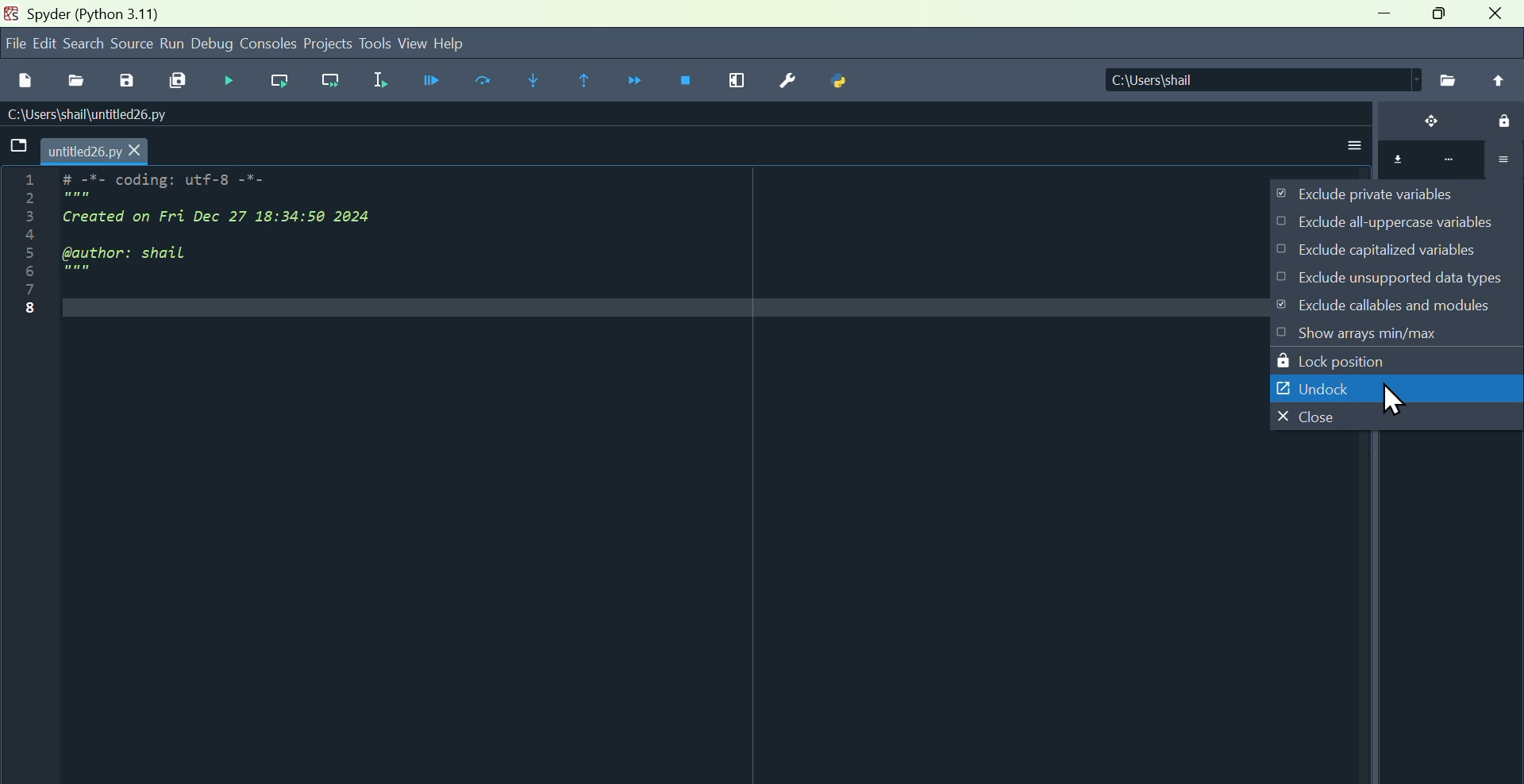  Describe the element at coordinates (1499, 17) in the screenshot. I see `close` at that location.